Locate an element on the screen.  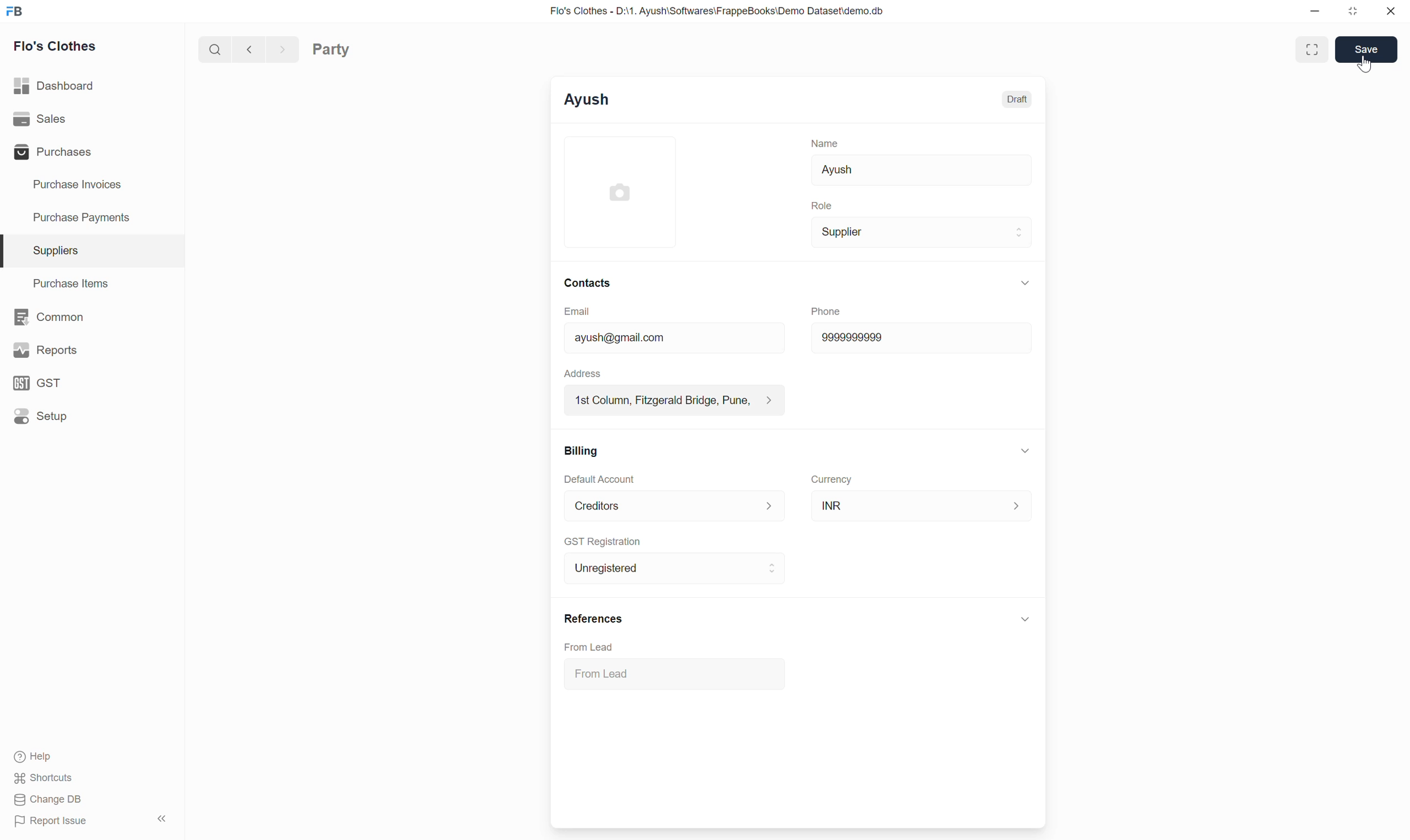
Purchase Invoices is located at coordinates (91, 185).